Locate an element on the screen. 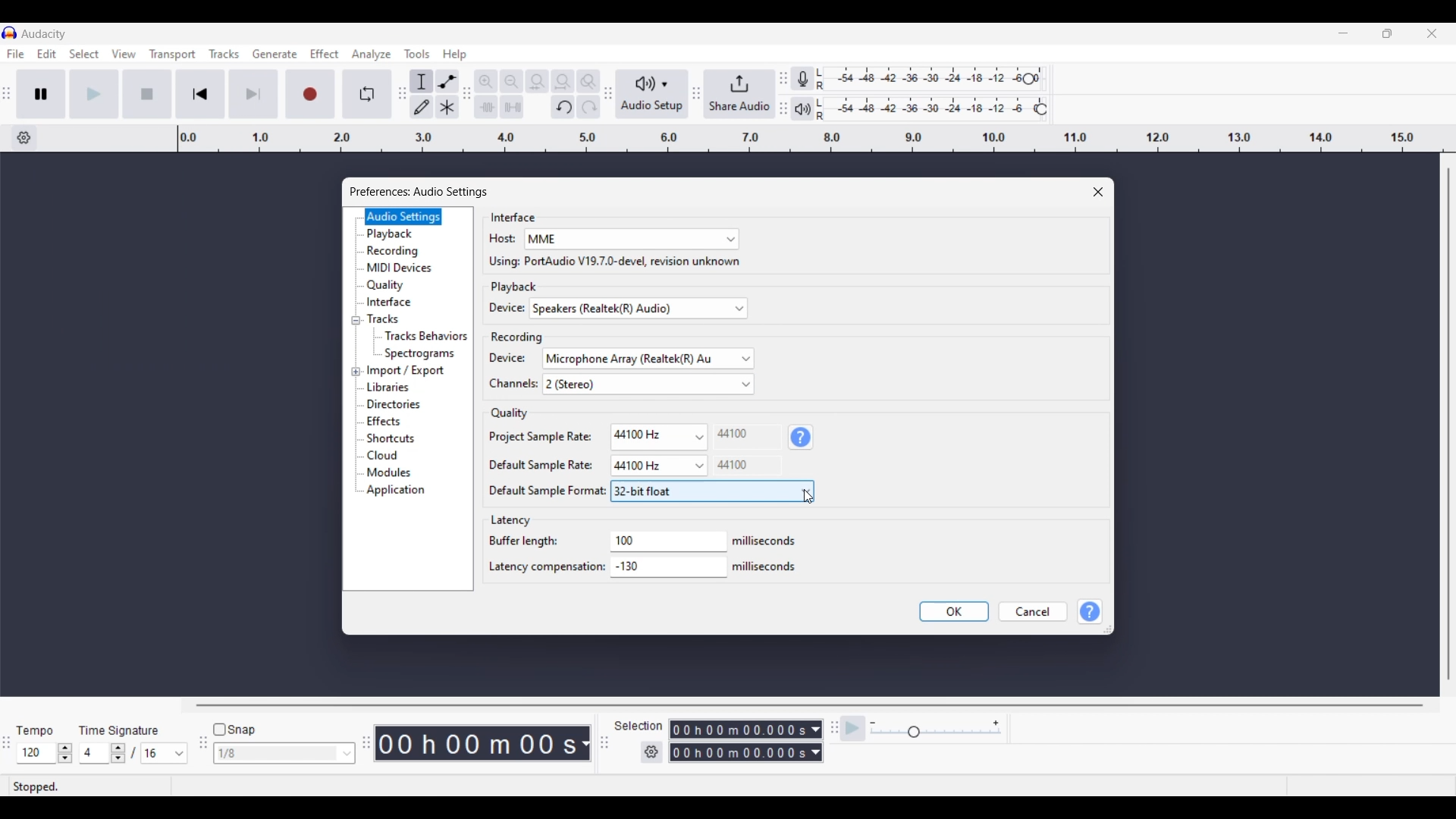 This screenshot has width=1456, height=819. Recording is located at coordinates (513, 336).